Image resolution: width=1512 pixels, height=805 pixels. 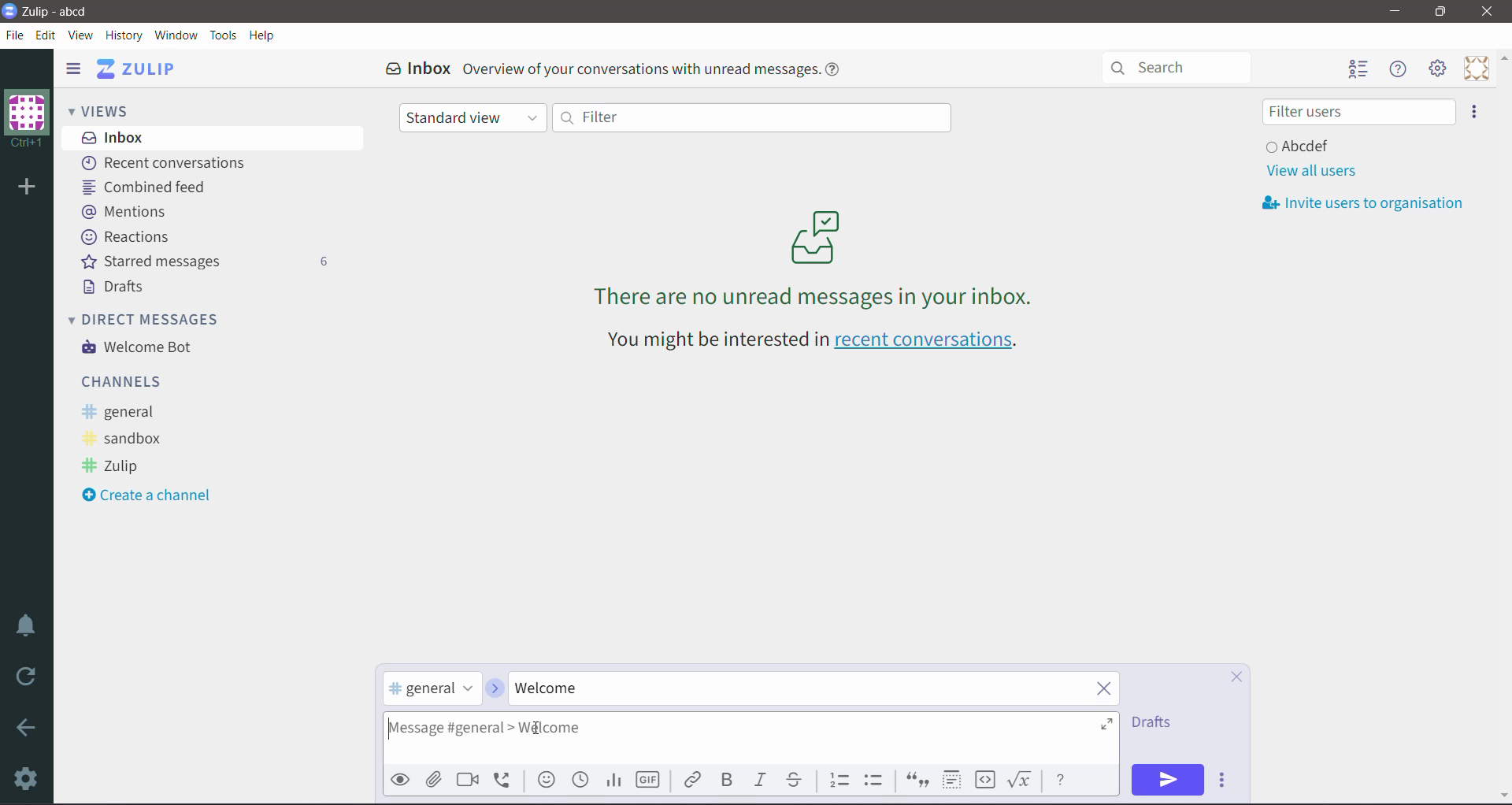 What do you see at coordinates (141, 348) in the screenshot?
I see `Welcome Bot` at bounding box center [141, 348].